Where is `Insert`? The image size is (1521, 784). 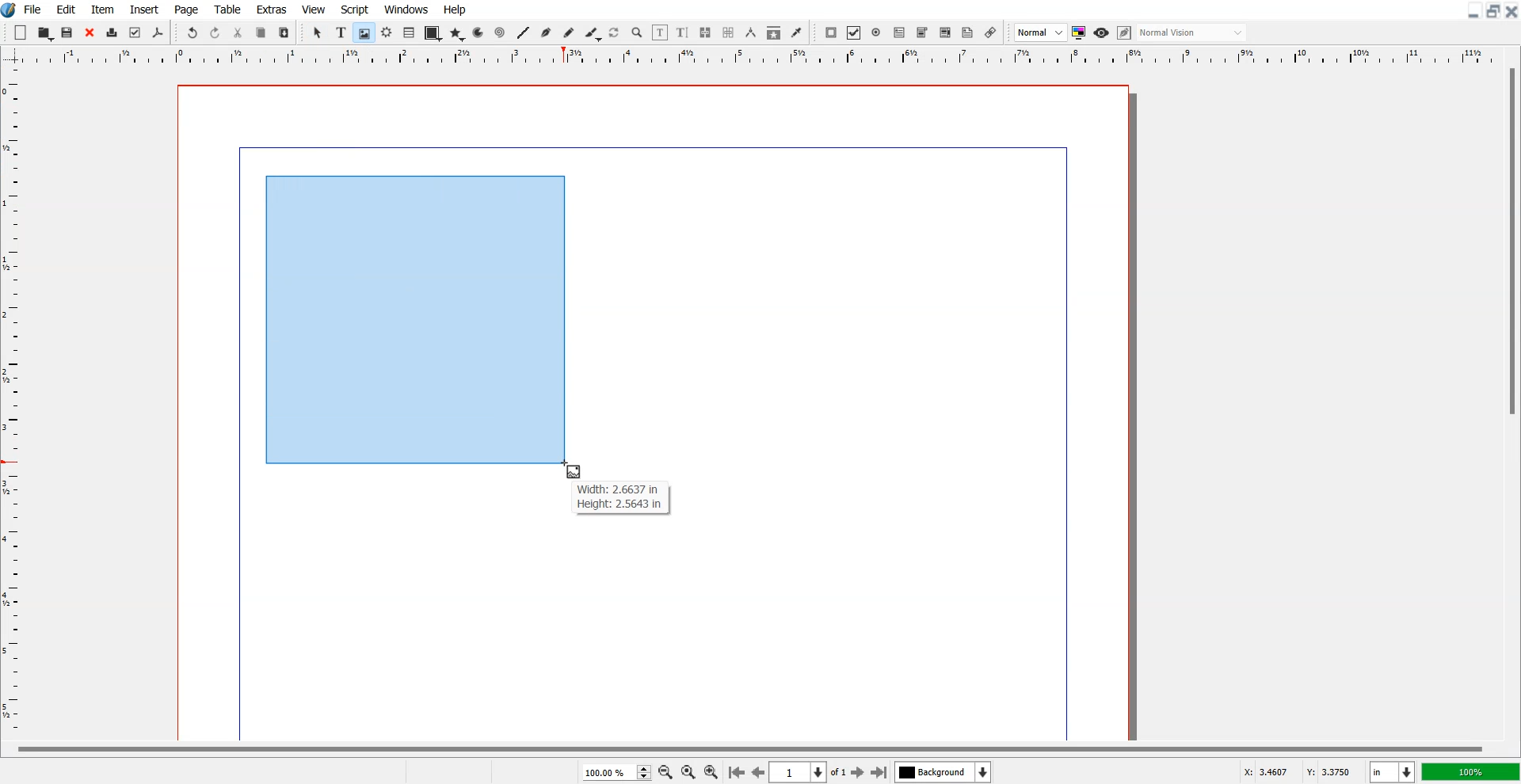 Insert is located at coordinates (143, 9).